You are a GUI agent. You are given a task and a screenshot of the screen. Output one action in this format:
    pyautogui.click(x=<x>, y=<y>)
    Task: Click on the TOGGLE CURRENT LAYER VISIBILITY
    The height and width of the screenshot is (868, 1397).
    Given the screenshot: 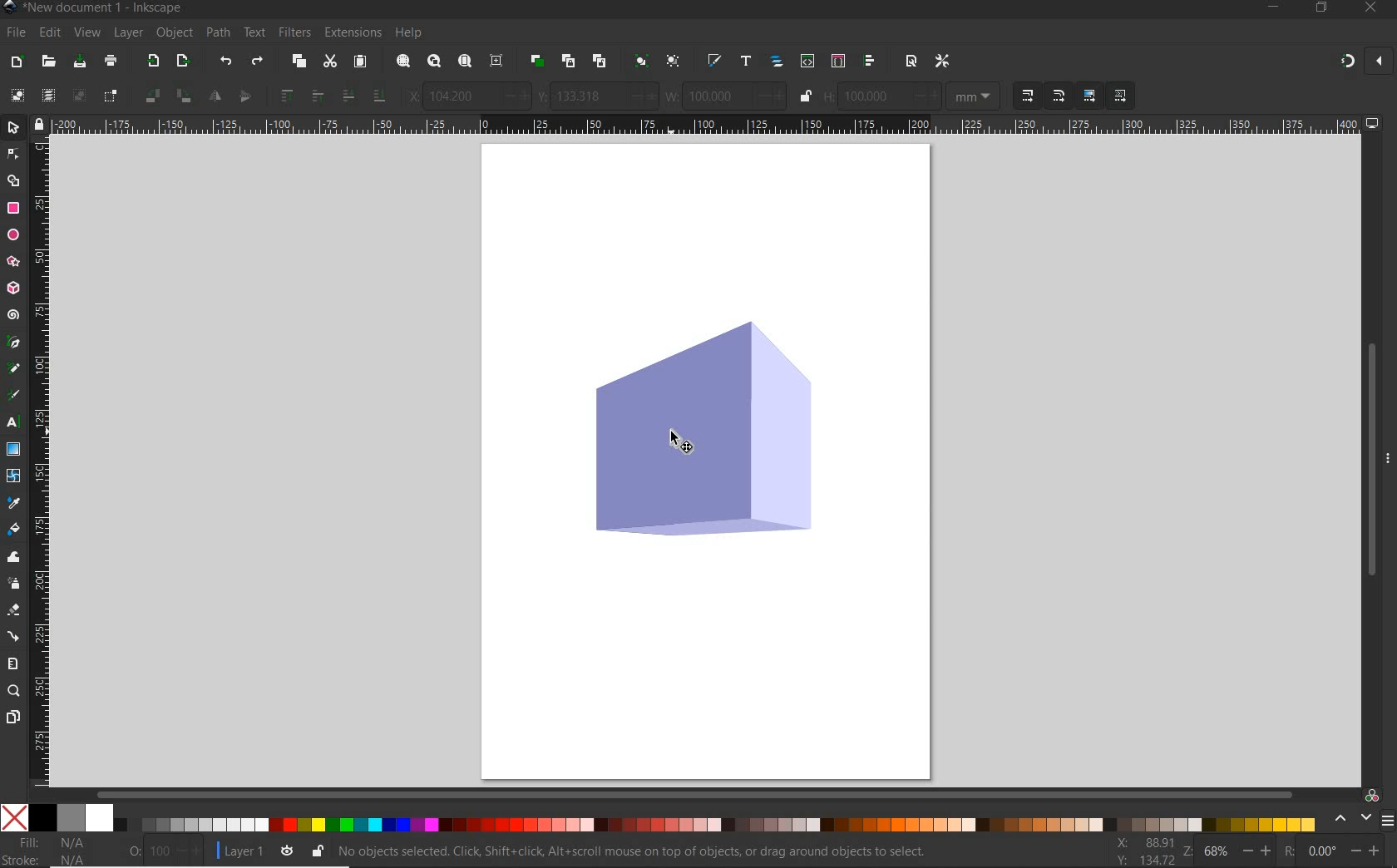 What is the action you would take?
    pyautogui.click(x=287, y=851)
    